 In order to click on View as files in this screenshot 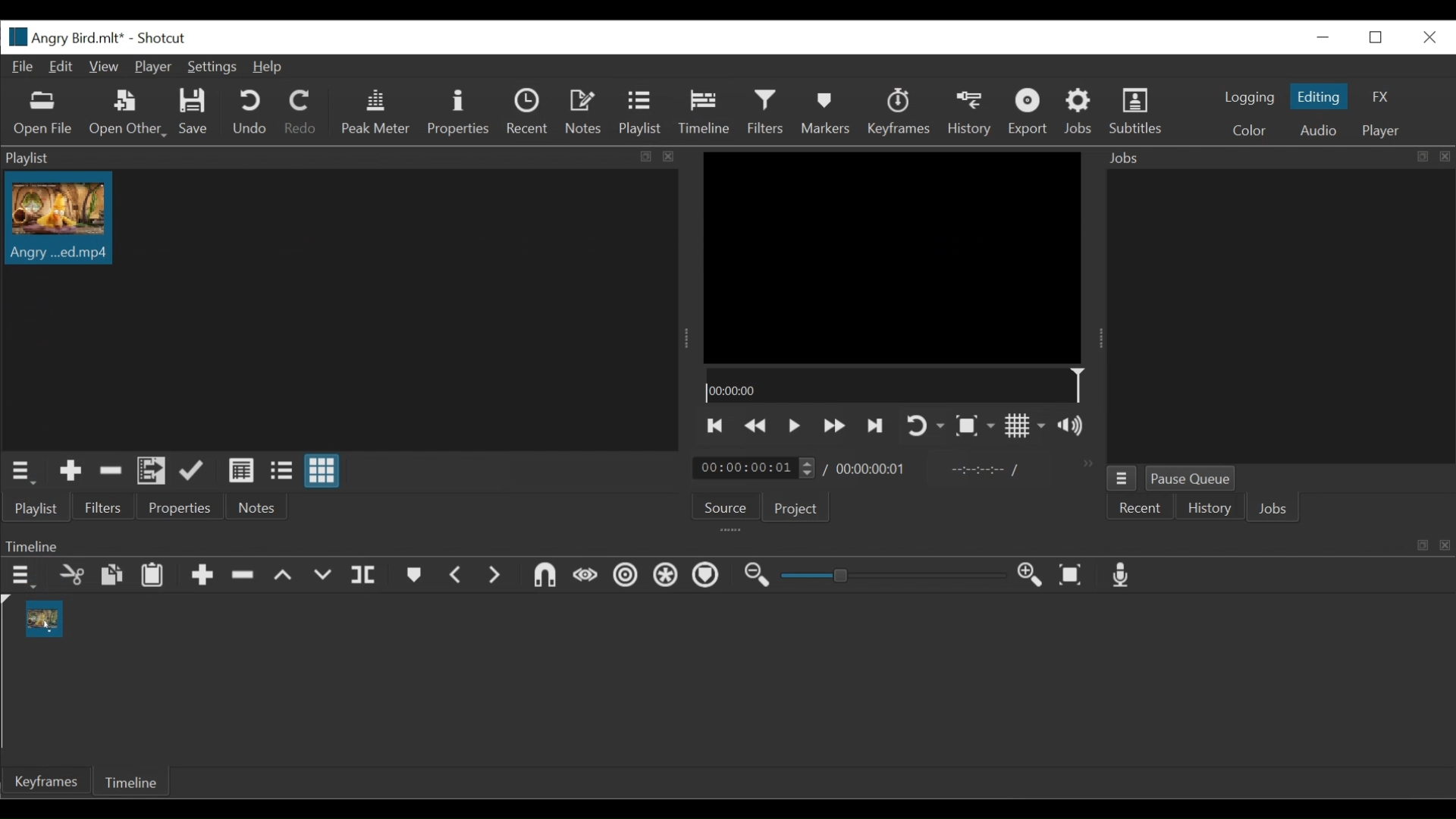, I will do `click(281, 472)`.